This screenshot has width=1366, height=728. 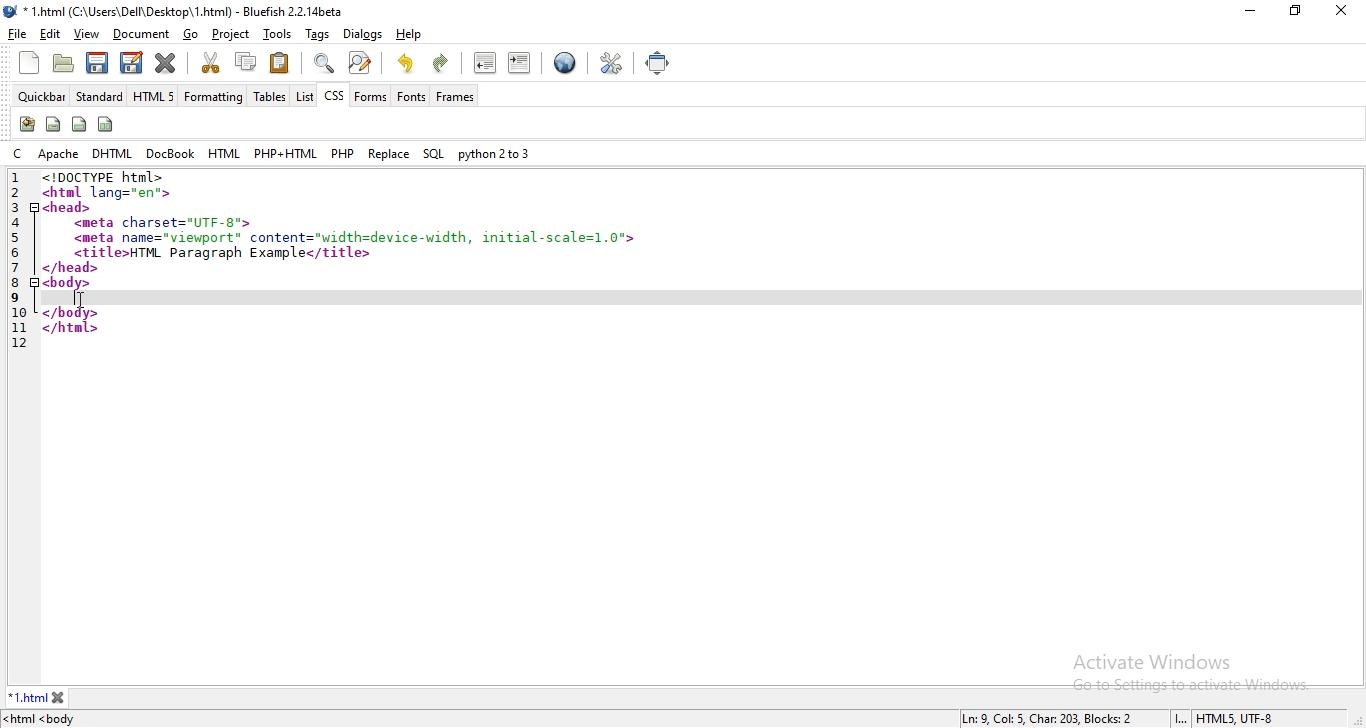 What do you see at coordinates (69, 207) in the screenshot?
I see `<head>` at bounding box center [69, 207].